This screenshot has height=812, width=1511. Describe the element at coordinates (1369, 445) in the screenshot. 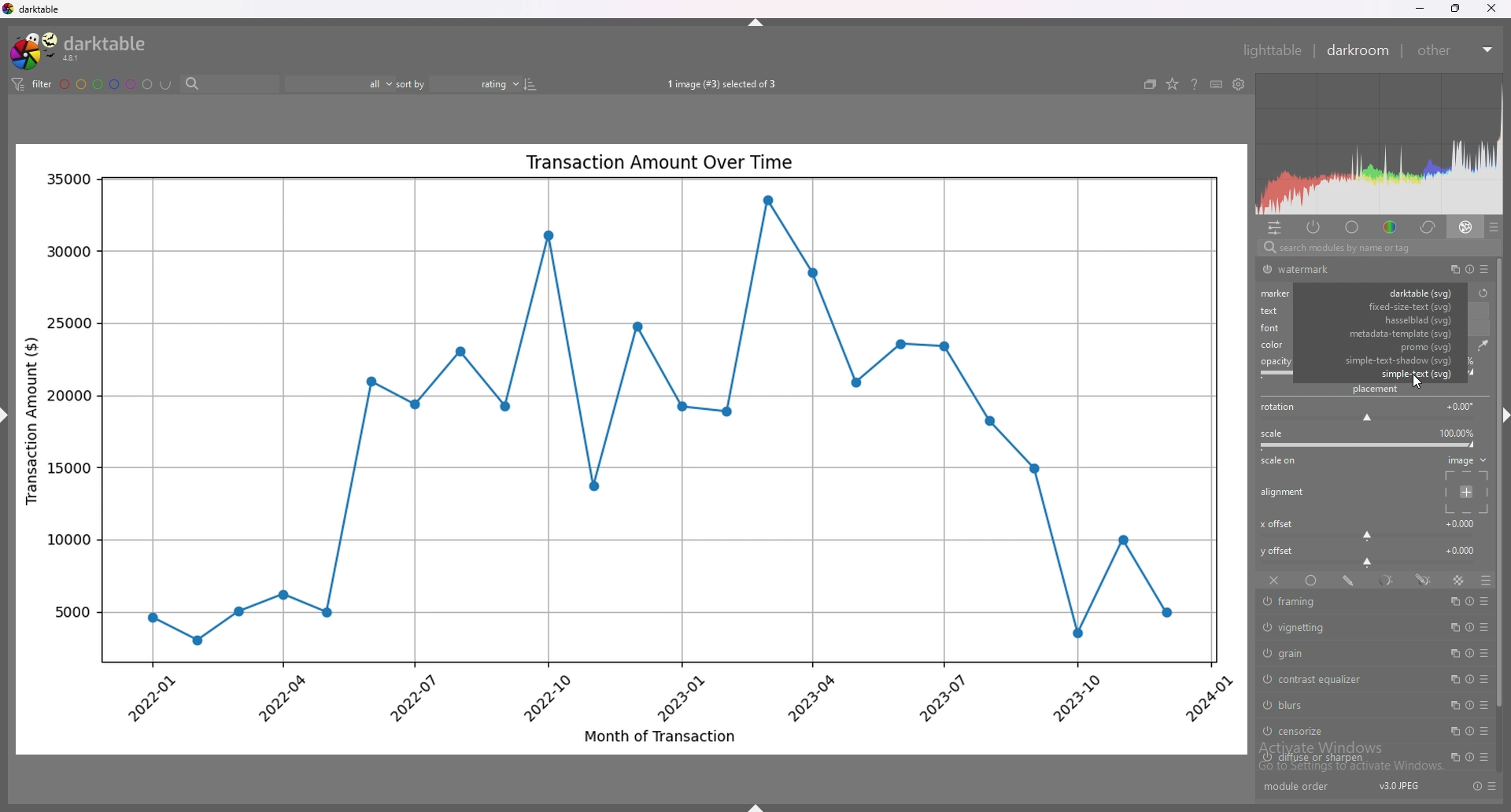

I see `scale bar` at that location.